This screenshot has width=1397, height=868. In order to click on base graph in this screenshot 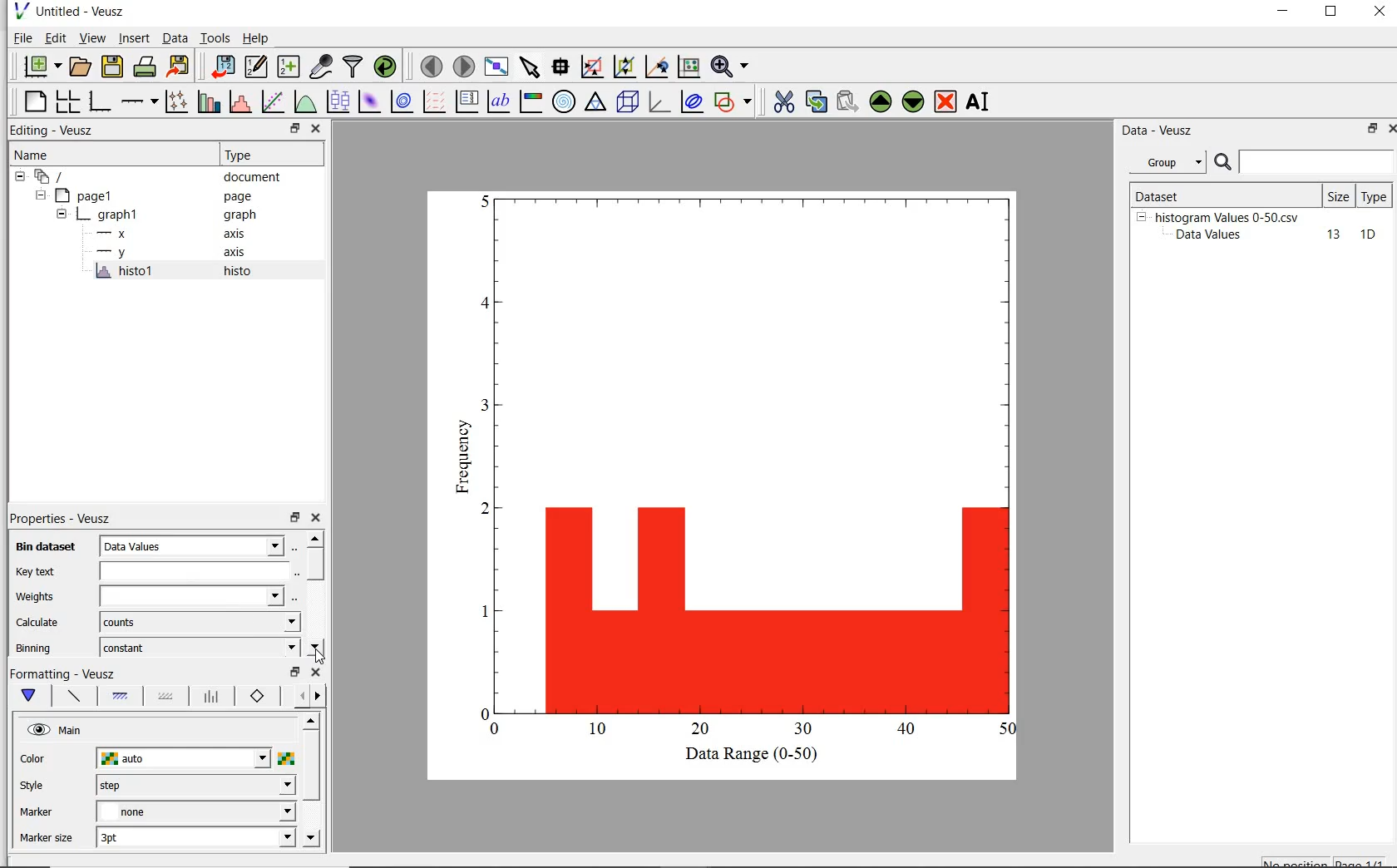, I will do `click(101, 101)`.